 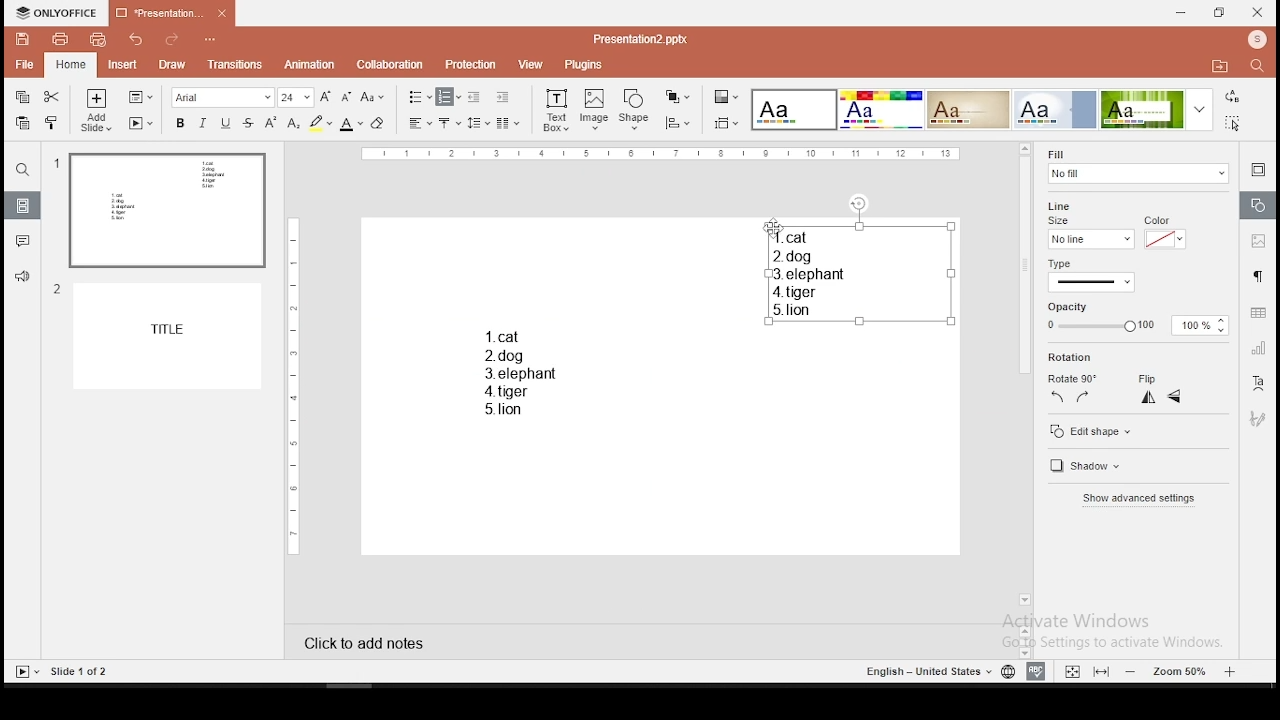 I want to click on scale, so click(x=661, y=155).